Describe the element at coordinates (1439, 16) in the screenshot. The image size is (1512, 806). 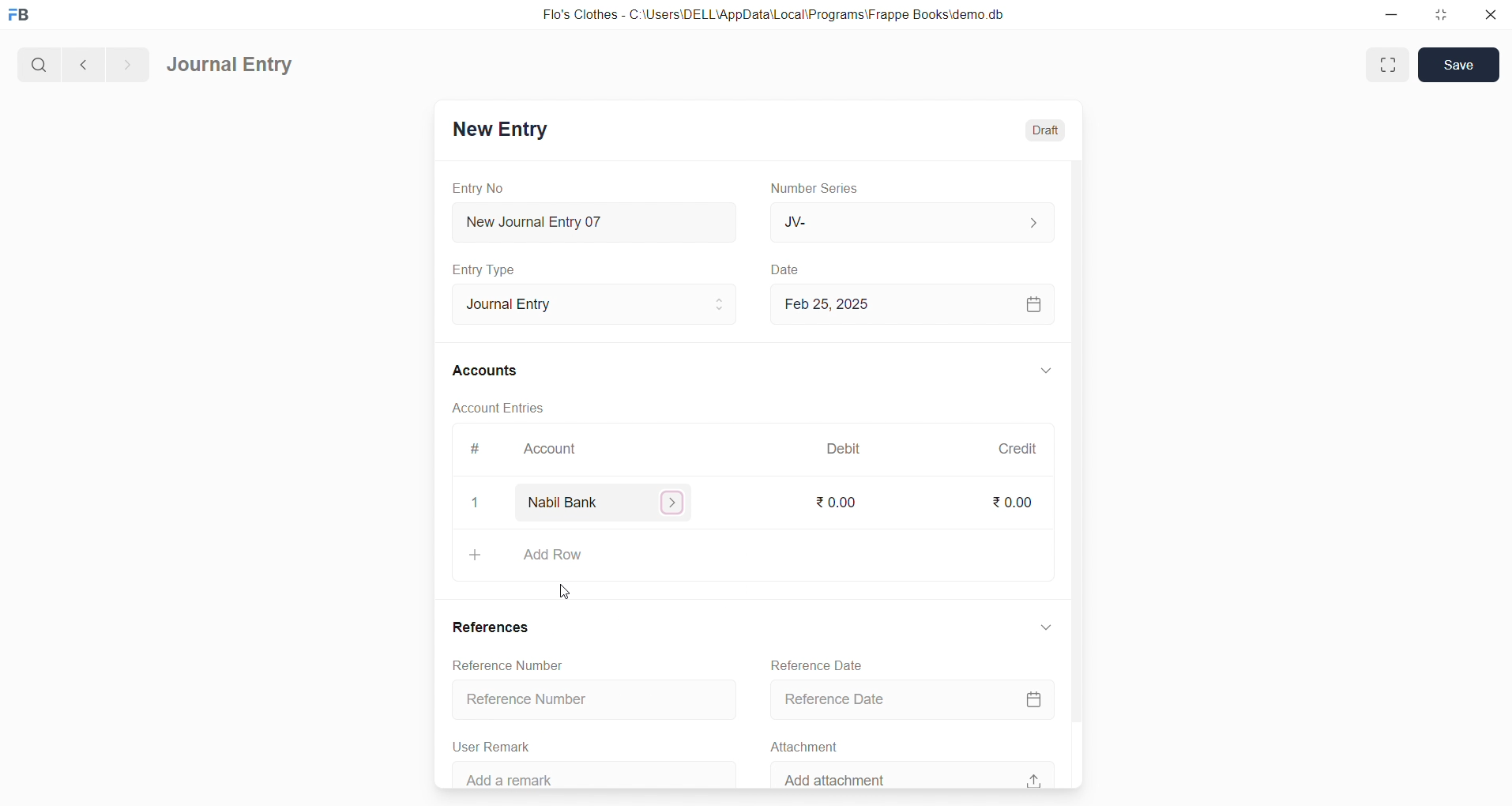
I see `resize` at that location.